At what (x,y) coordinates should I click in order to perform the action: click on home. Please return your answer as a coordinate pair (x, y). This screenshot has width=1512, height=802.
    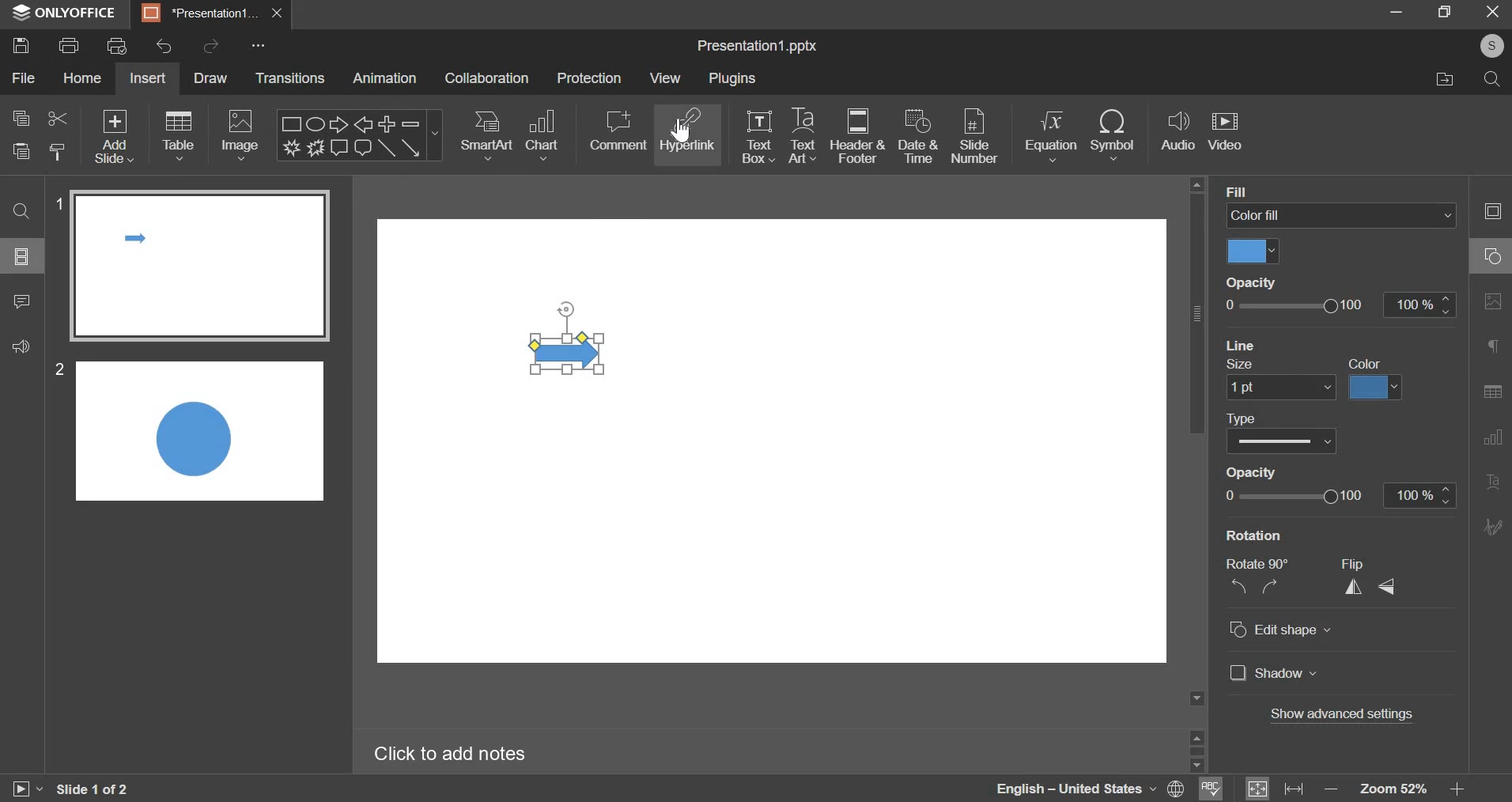
    Looking at the image, I should click on (85, 78).